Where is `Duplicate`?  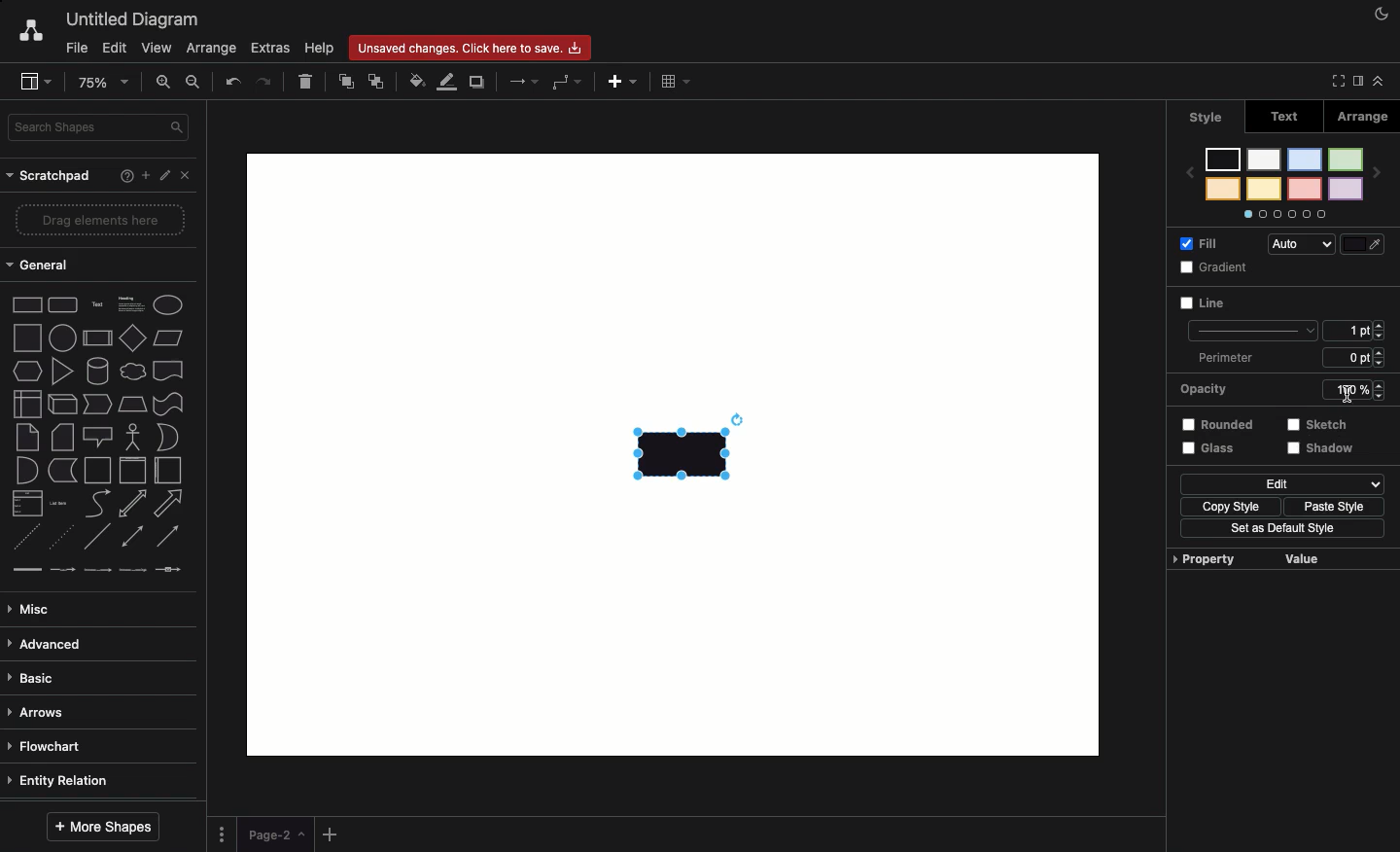
Duplicate is located at coordinates (477, 83).